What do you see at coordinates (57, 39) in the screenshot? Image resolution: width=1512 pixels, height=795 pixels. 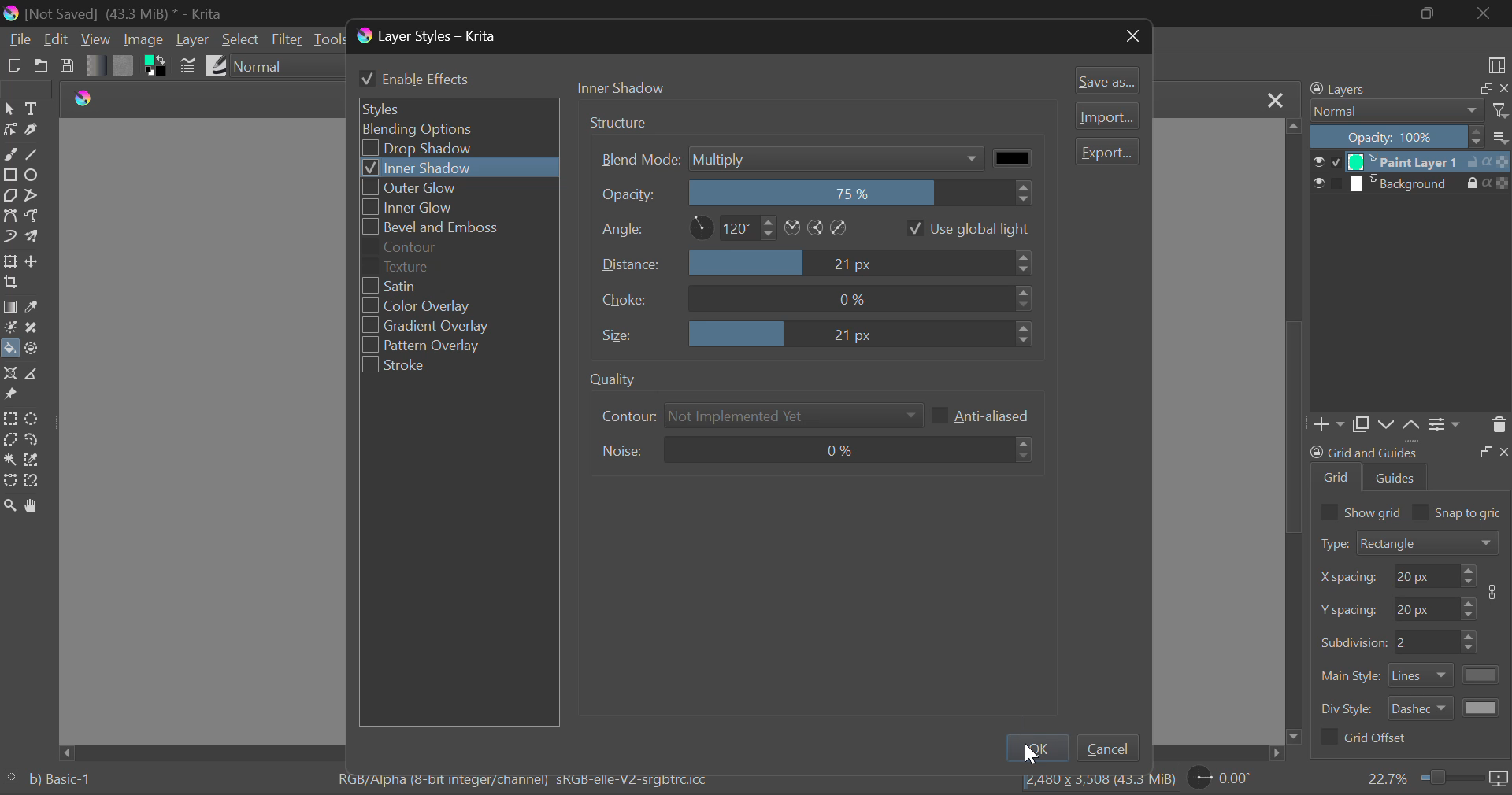 I see `Edit` at bounding box center [57, 39].